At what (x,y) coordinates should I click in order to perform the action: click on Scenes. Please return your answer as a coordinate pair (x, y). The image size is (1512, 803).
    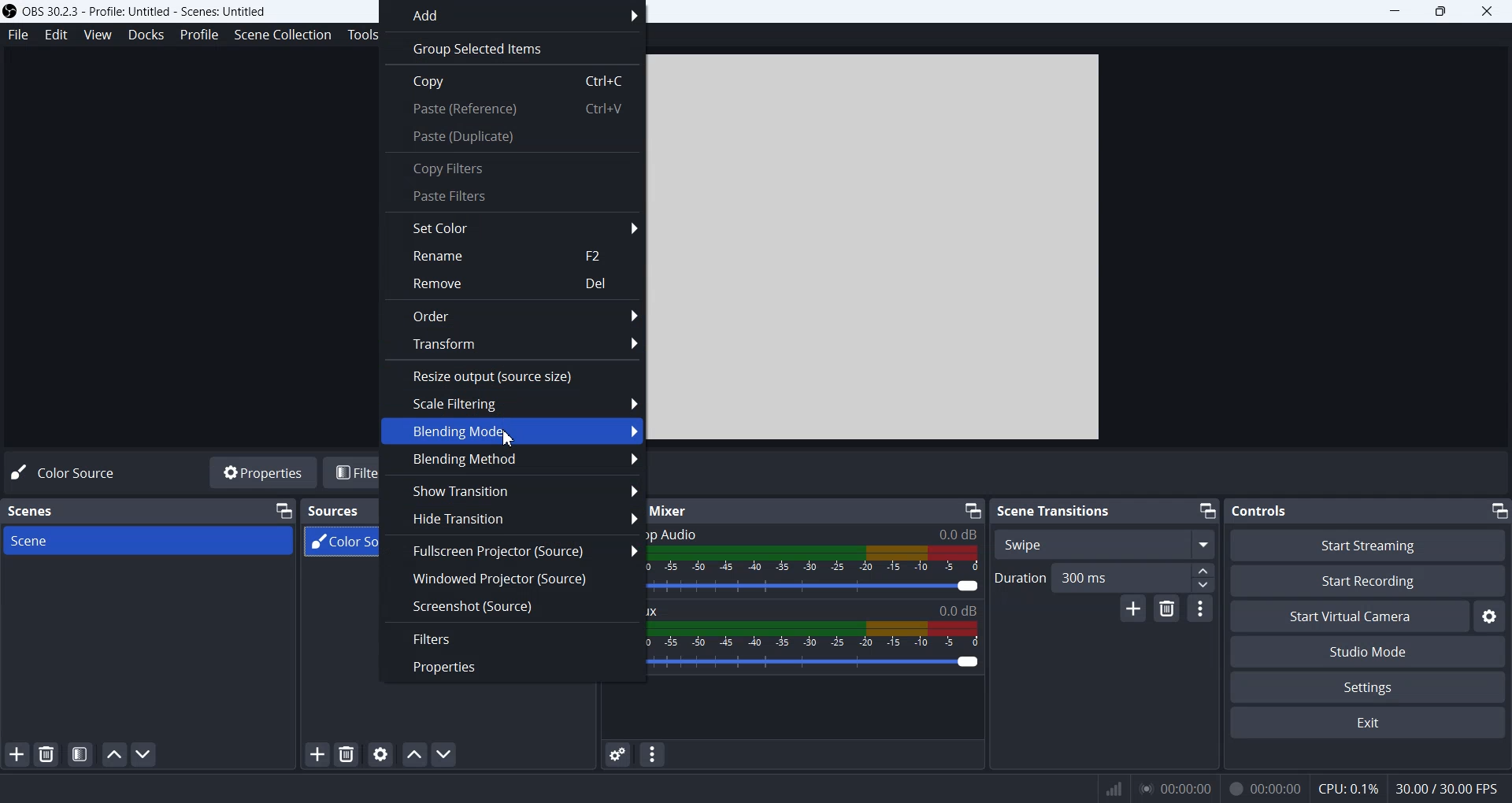
    Looking at the image, I should click on (33, 510).